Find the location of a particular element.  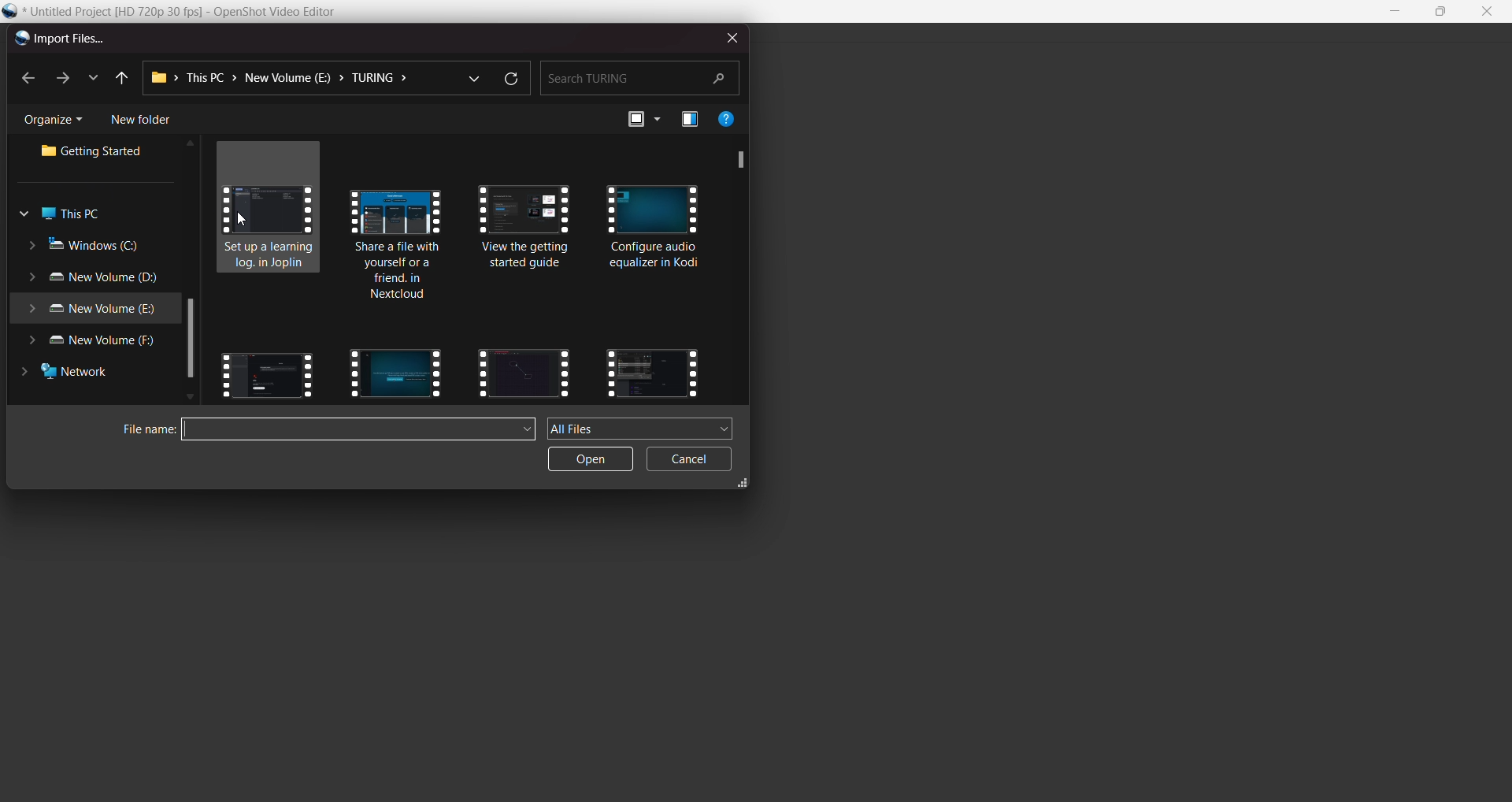

view is located at coordinates (643, 119).